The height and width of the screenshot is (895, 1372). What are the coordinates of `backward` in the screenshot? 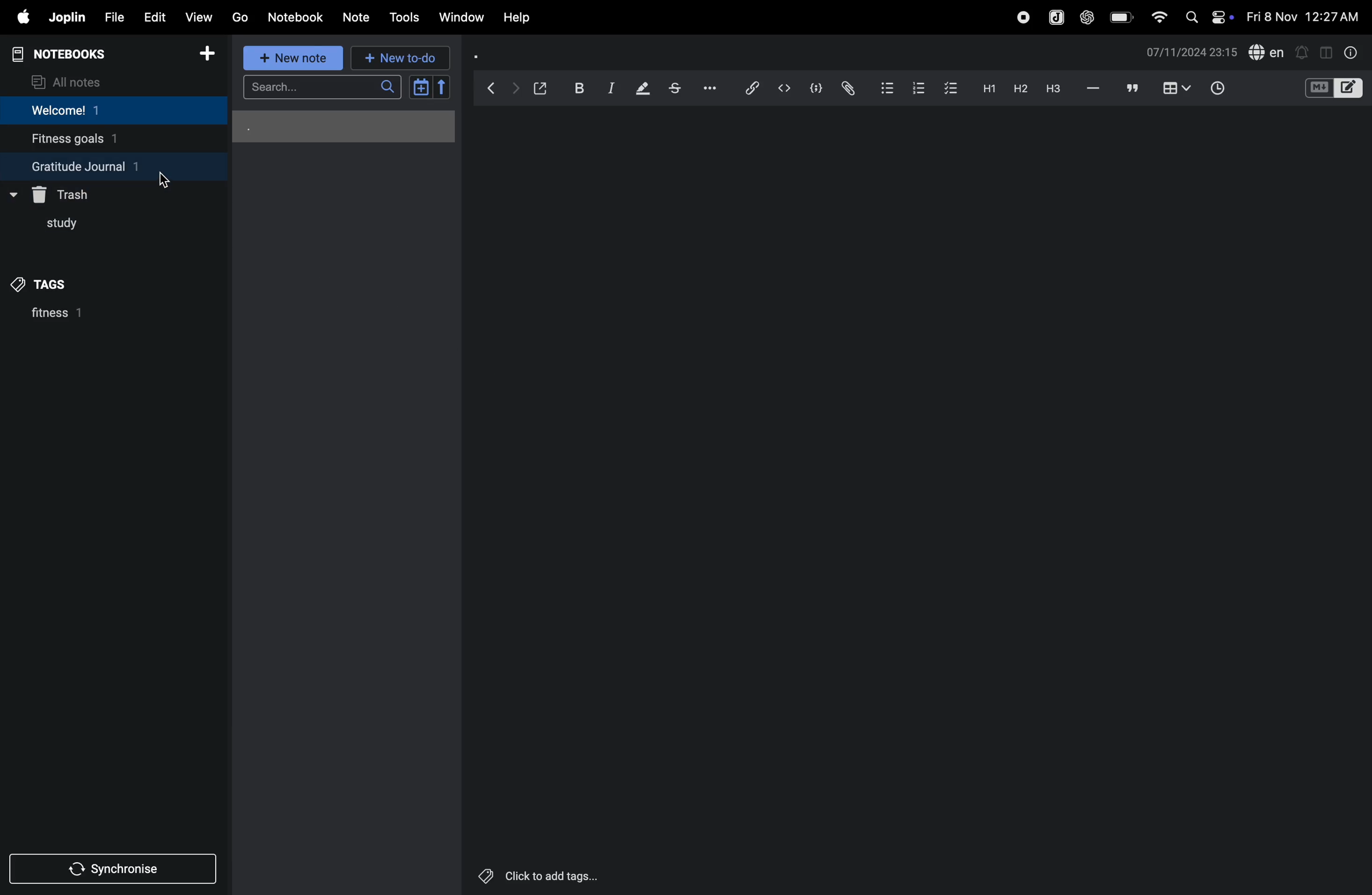 It's located at (492, 88).